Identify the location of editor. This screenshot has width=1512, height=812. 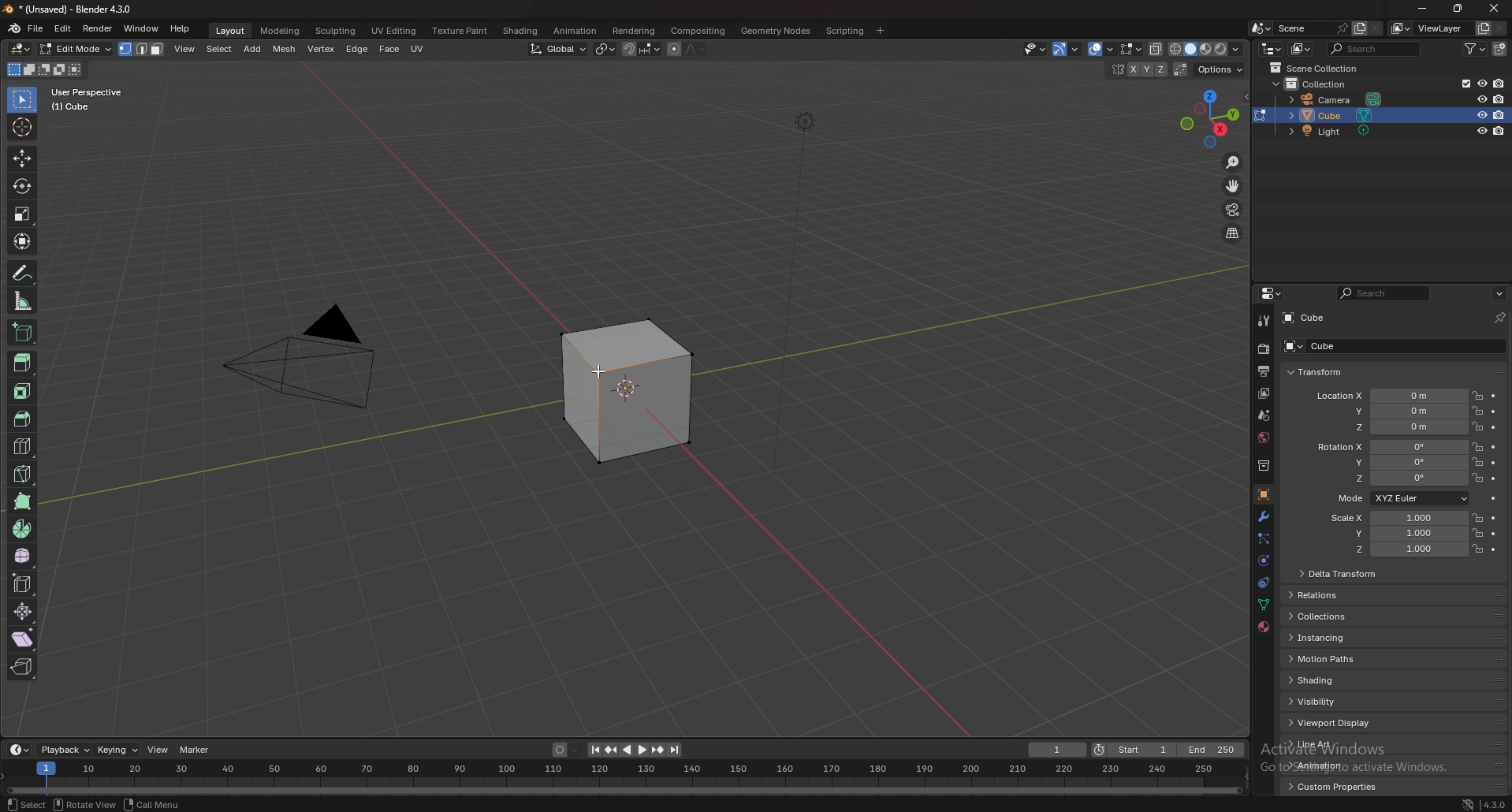
(1272, 293).